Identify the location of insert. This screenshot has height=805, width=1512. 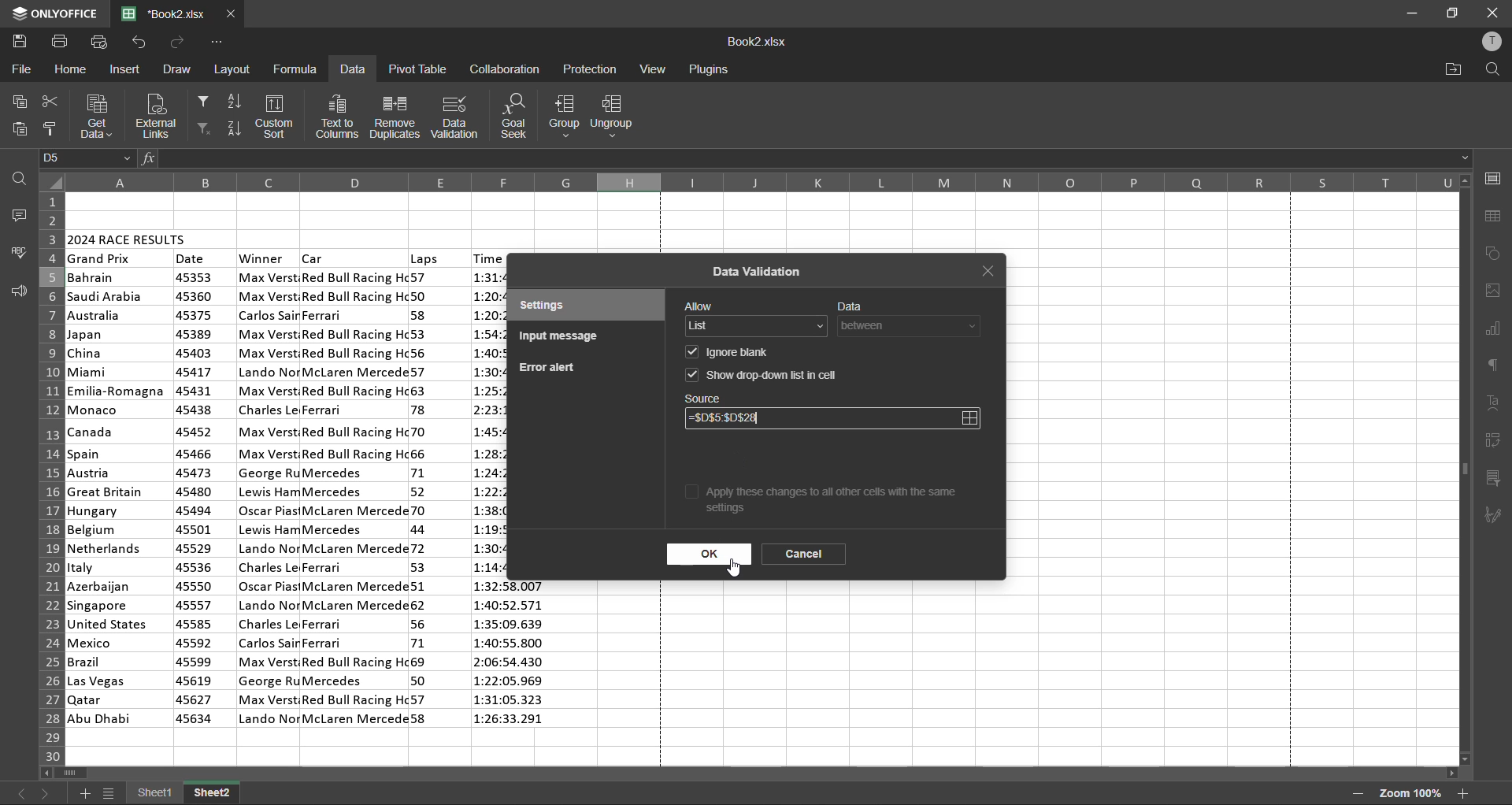
(128, 69).